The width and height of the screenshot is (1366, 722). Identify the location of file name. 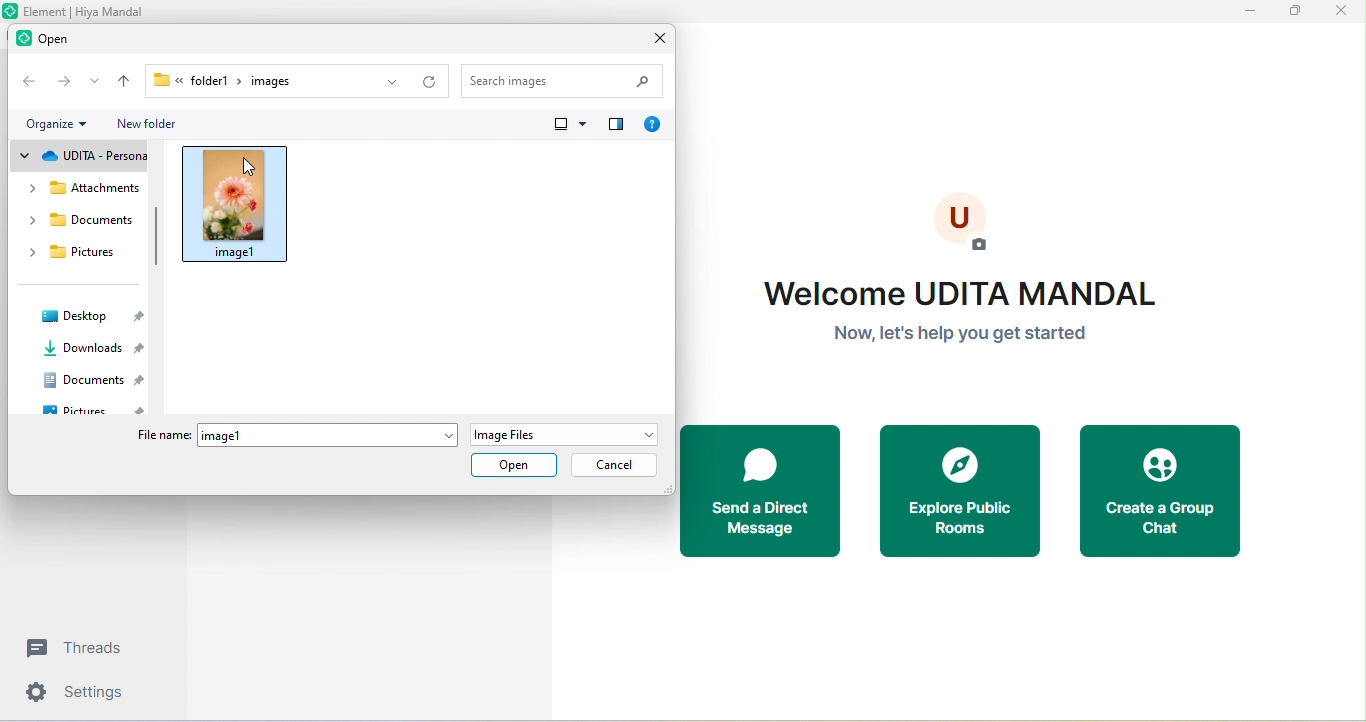
(293, 436).